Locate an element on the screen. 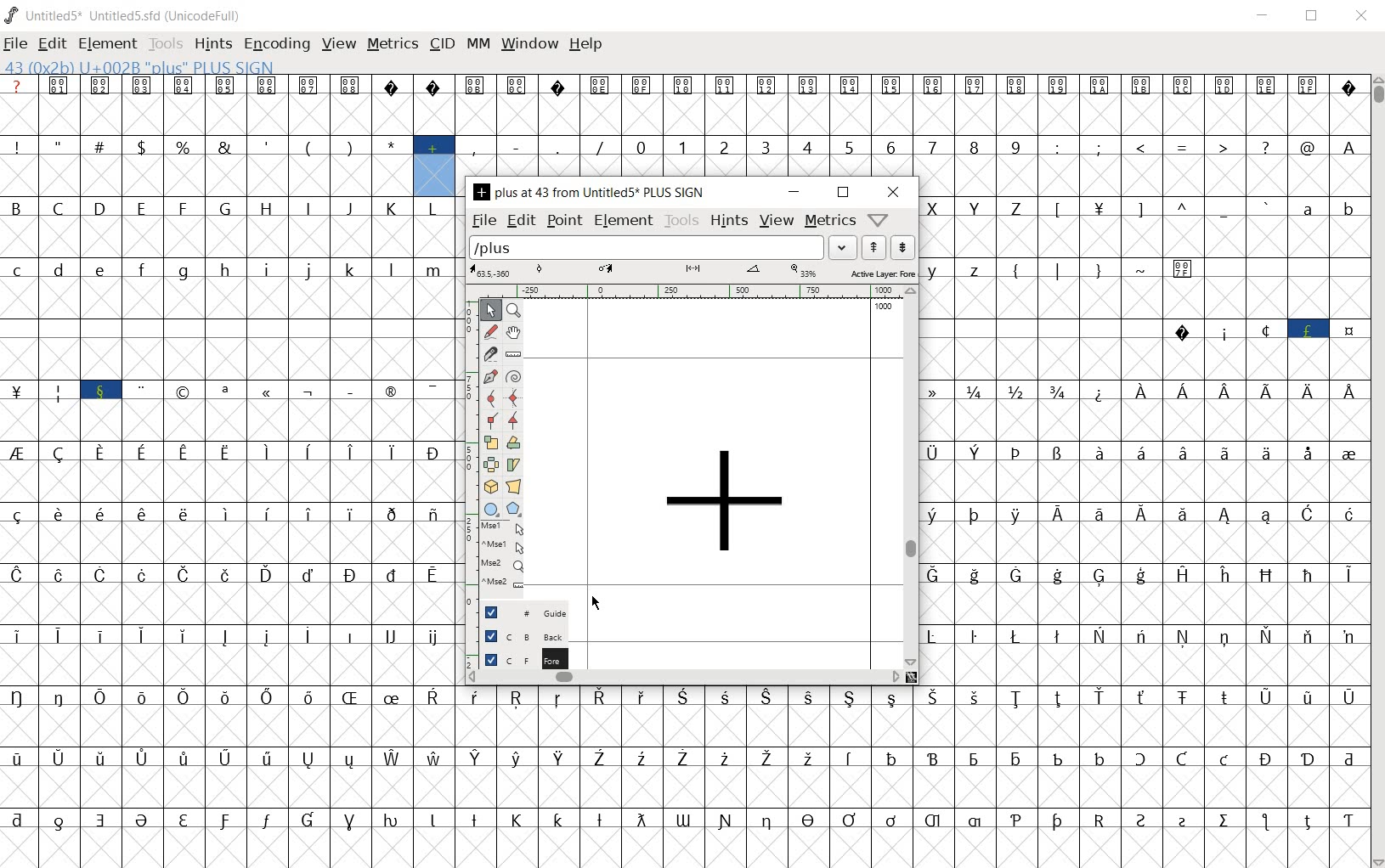  T is located at coordinates (1100, 228).